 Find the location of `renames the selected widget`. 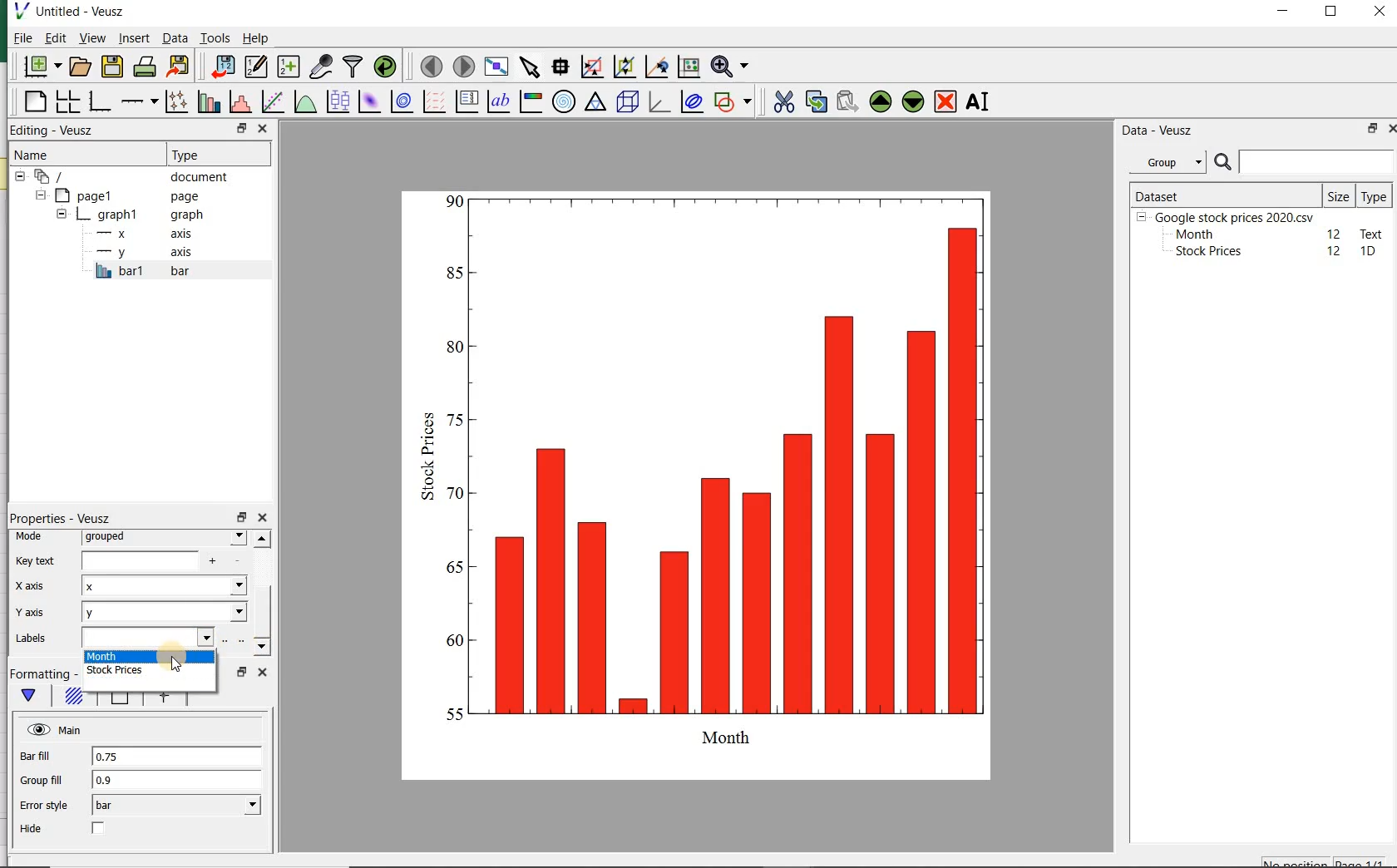

renames the selected widget is located at coordinates (975, 104).